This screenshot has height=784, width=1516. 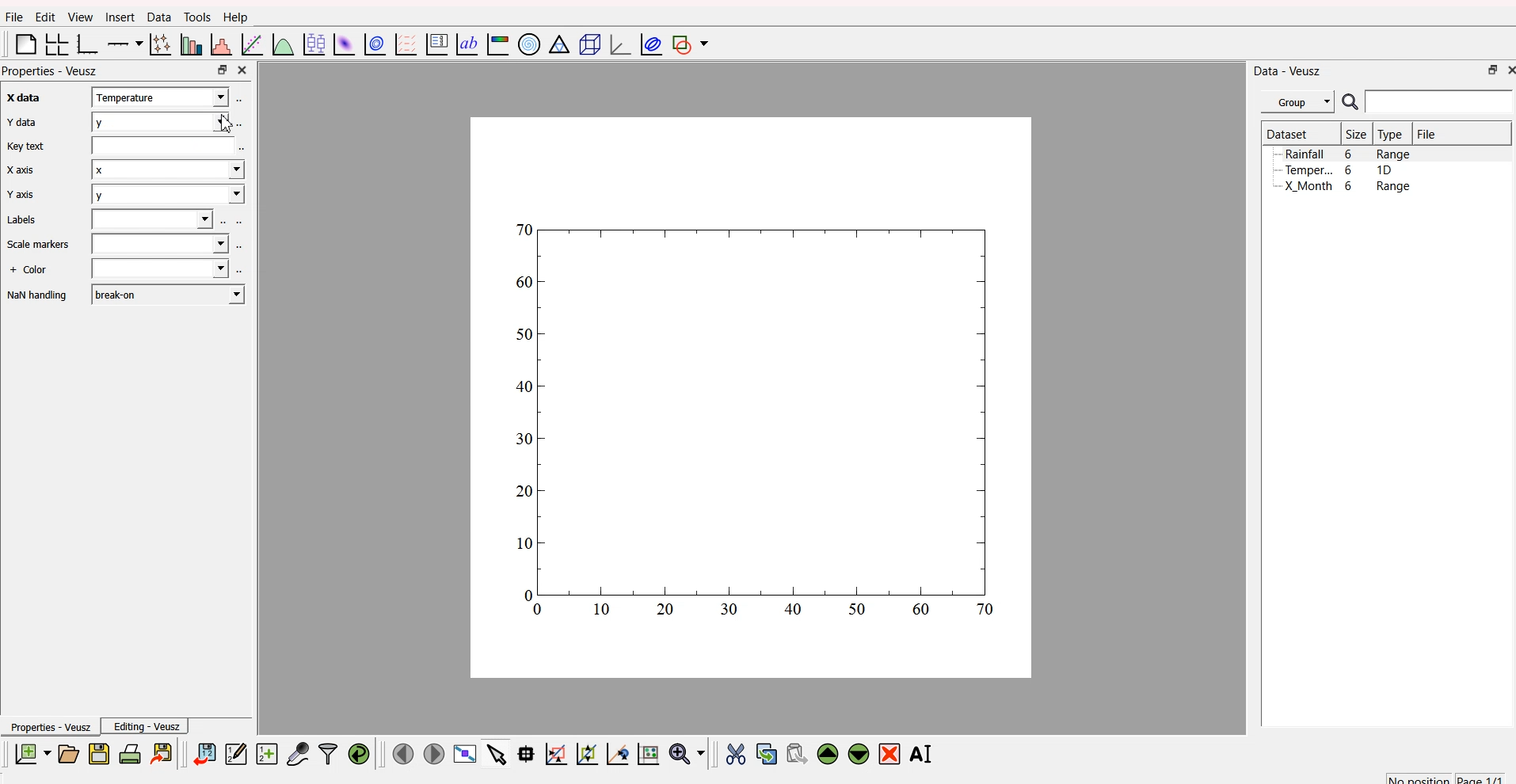 What do you see at coordinates (615, 44) in the screenshot?
I see `3D graph` at bounding box center [615, 44].